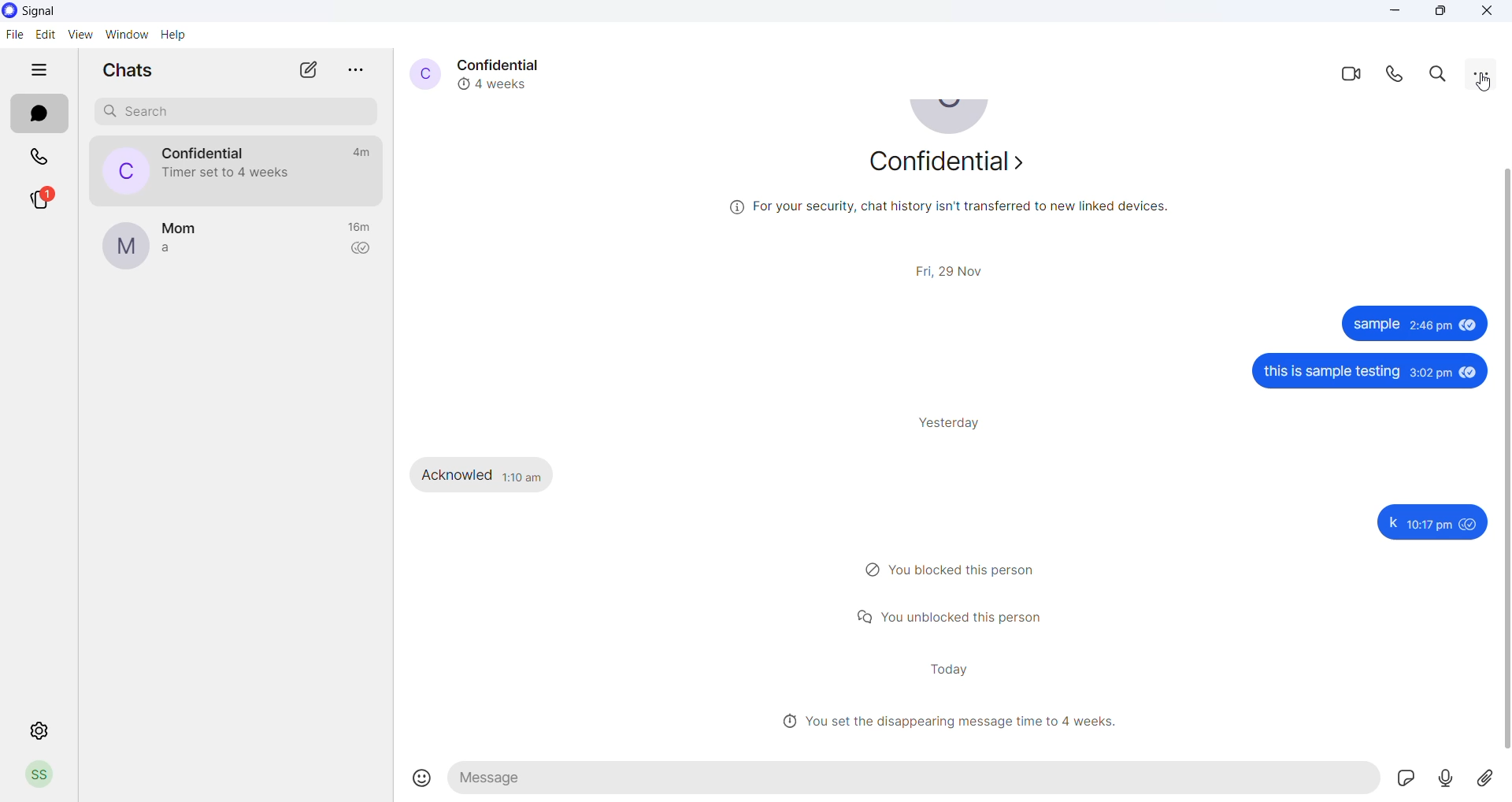  What do you see at coordinates (174, 35) in the screenshot?
I see `help` at bounding box center [174, 35].